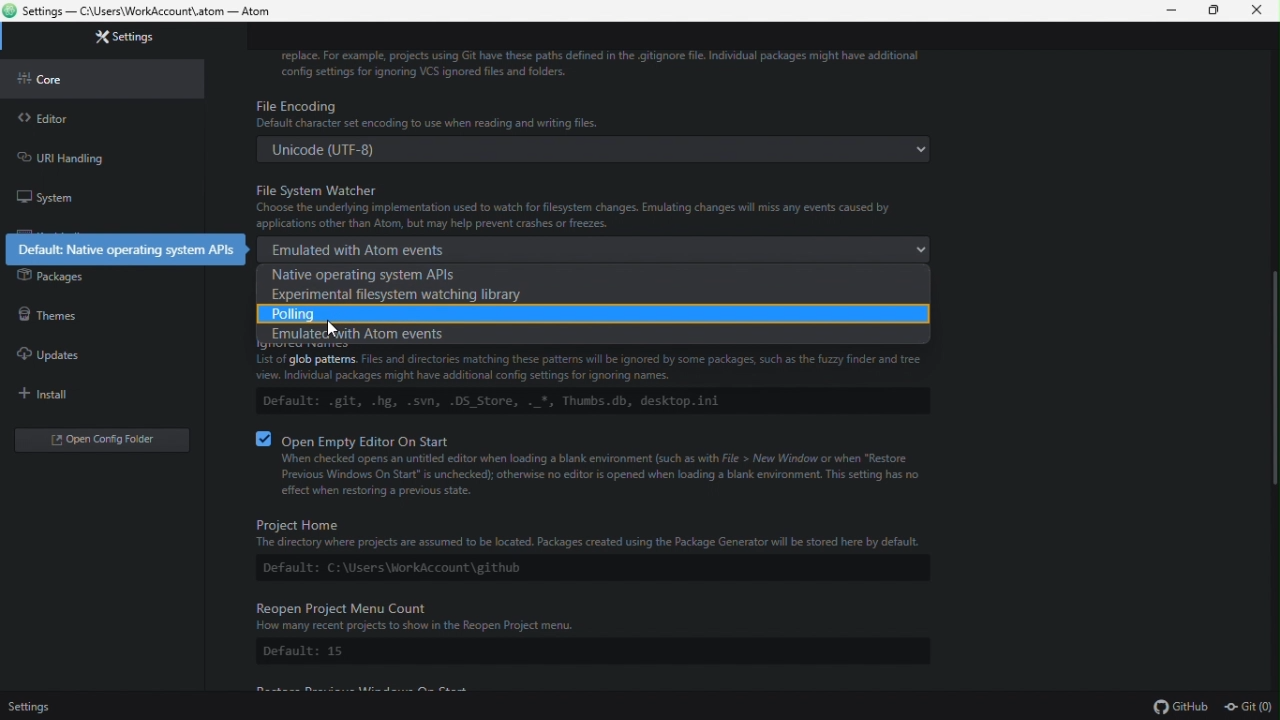 Image resolution: width=1280 pixels, height=720 pixels. Describe the element at coordinates (83, 194) in the screenshot. I see `system` at that location.